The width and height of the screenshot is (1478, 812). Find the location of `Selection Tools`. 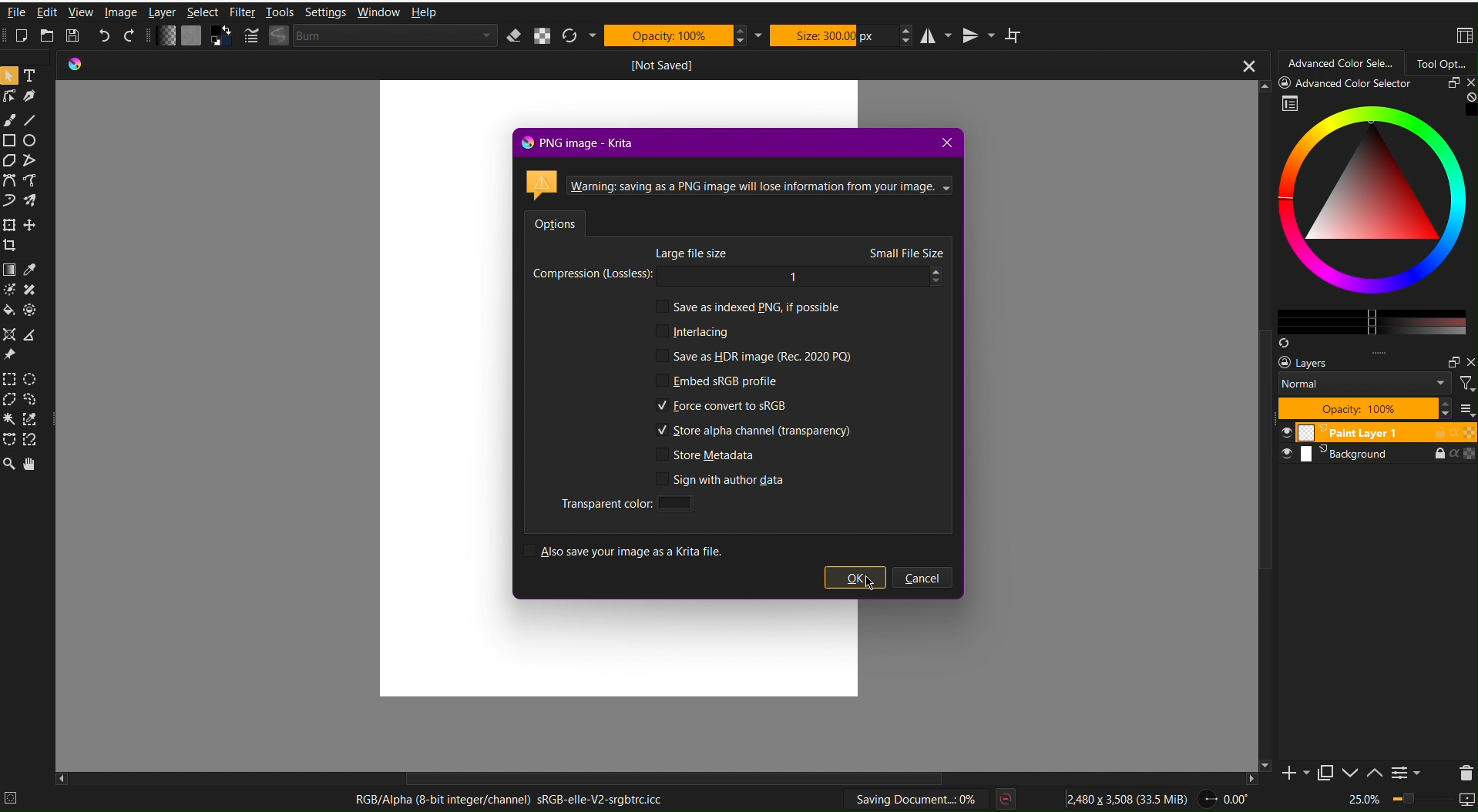

Selection Tools is located at coordinates (22, 409).